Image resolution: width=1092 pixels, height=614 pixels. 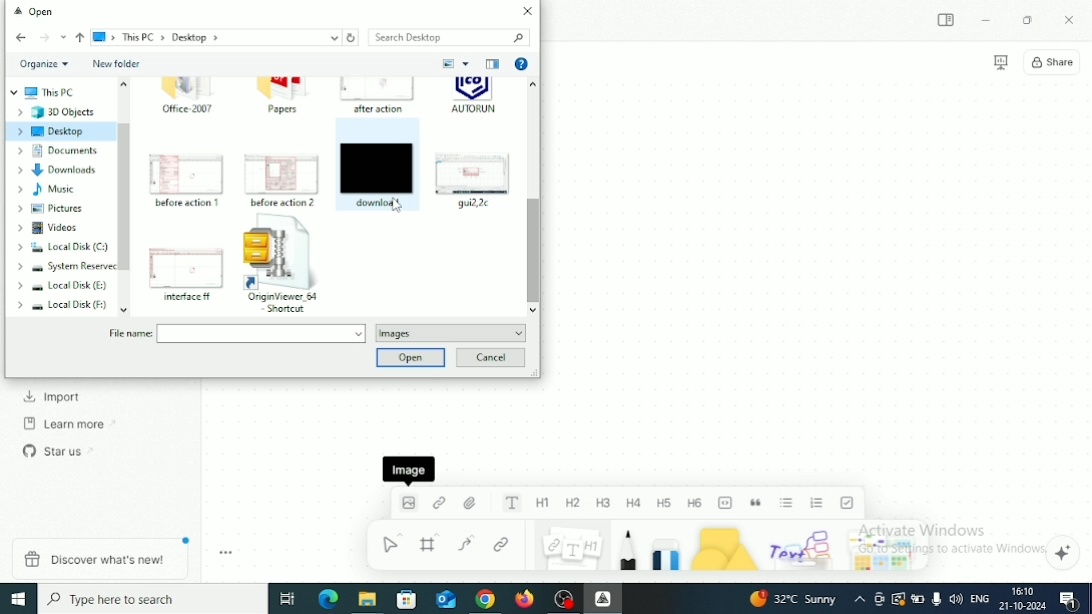 What do you see at coordinates (50, 210) in the screenshot?
I see `Pictures` at bounding box center [50, 210].